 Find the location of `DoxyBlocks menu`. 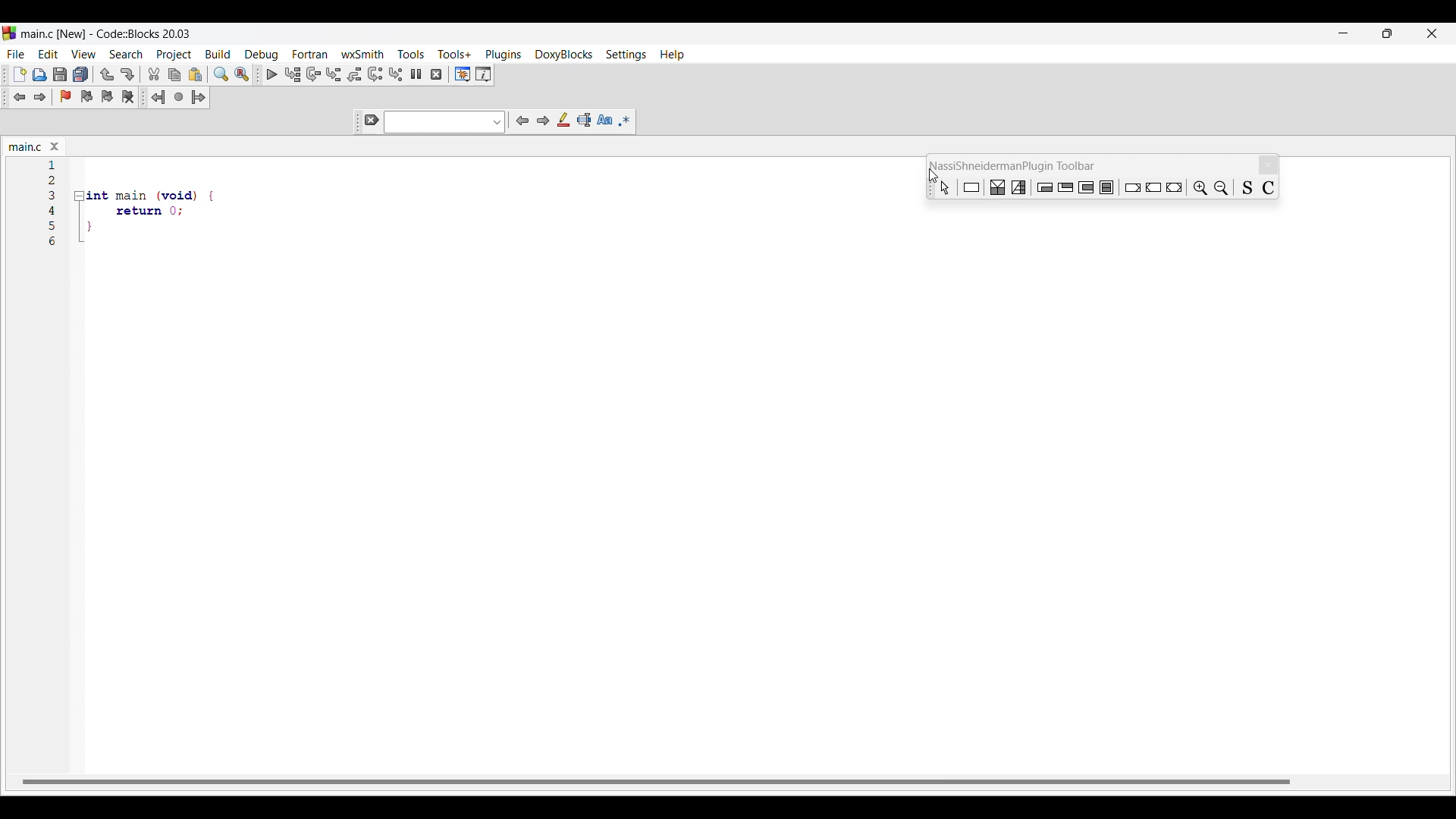

DoxyBlocks menu is located at coordinates (563, 55).